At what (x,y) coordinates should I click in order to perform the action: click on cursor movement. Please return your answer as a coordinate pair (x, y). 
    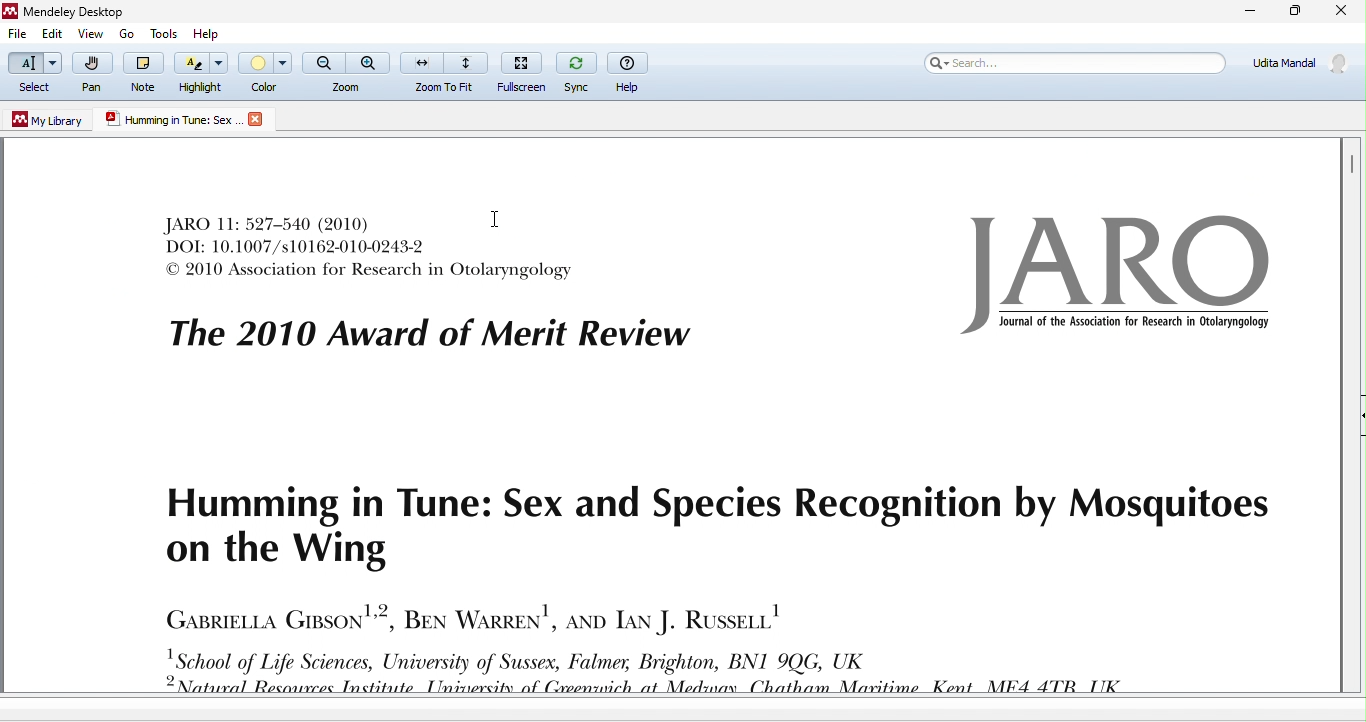
    Looking at the image, I should click on (502, 221).